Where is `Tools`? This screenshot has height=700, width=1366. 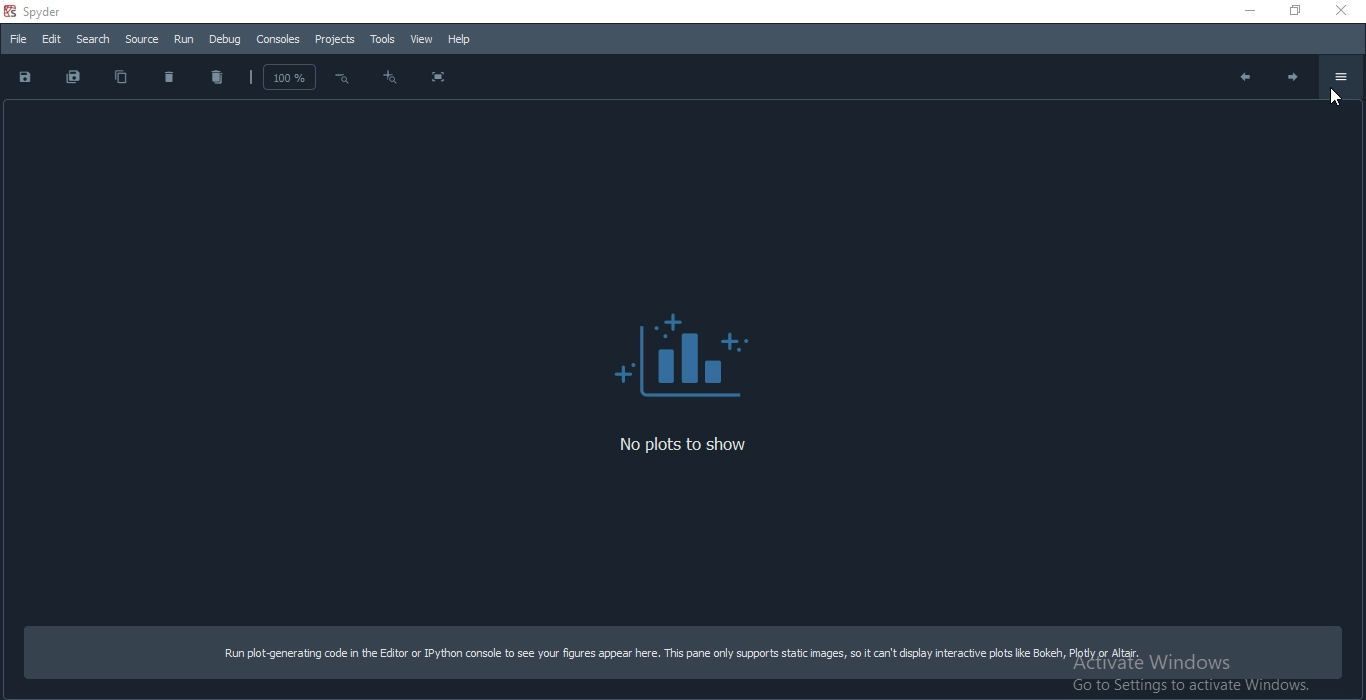 Tools is located at coordinates (381, 38).